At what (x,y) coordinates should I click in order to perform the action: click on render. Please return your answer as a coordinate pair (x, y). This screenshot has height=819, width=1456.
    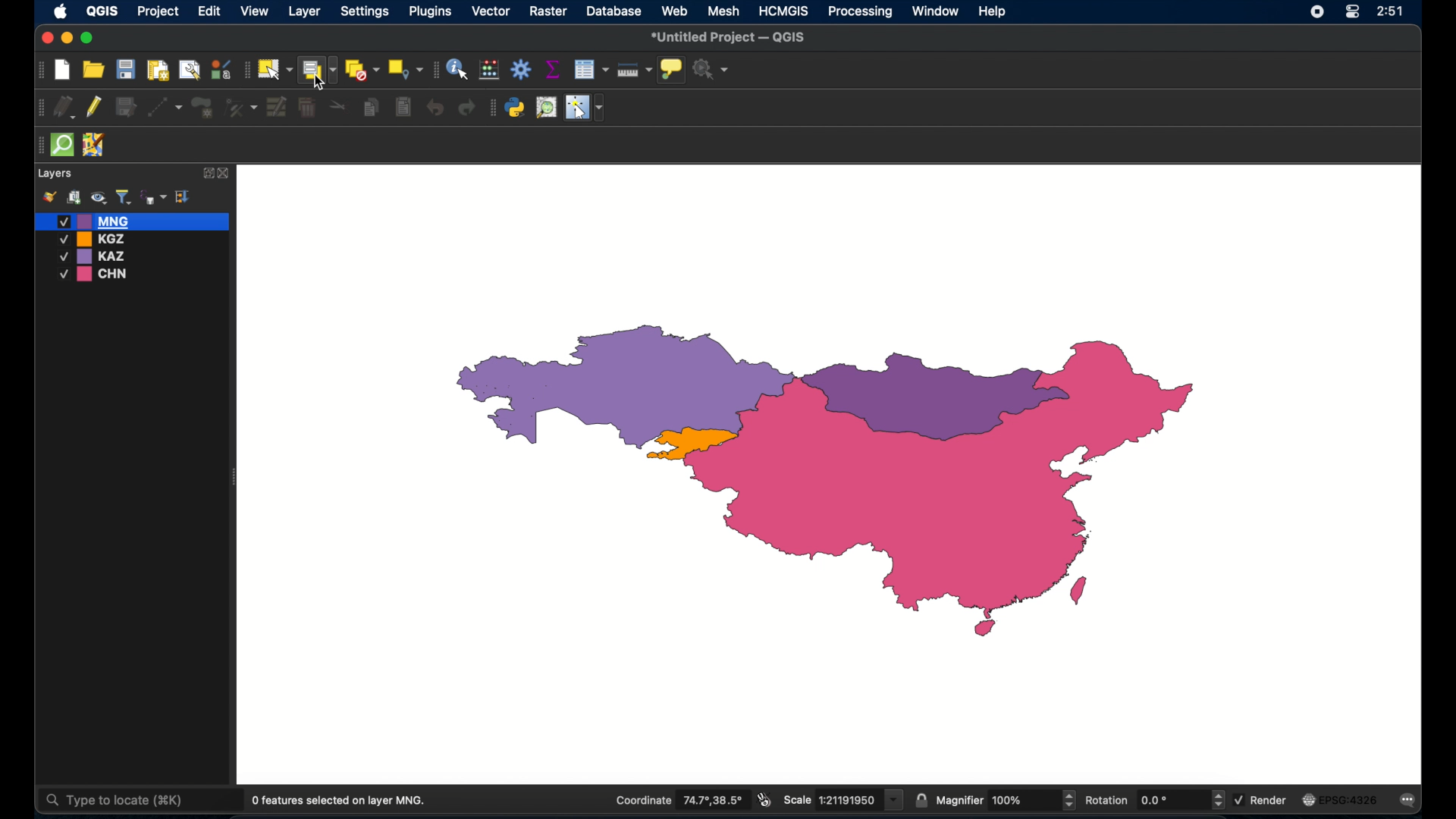
    Looking at the image, I should click on (1262, 798).